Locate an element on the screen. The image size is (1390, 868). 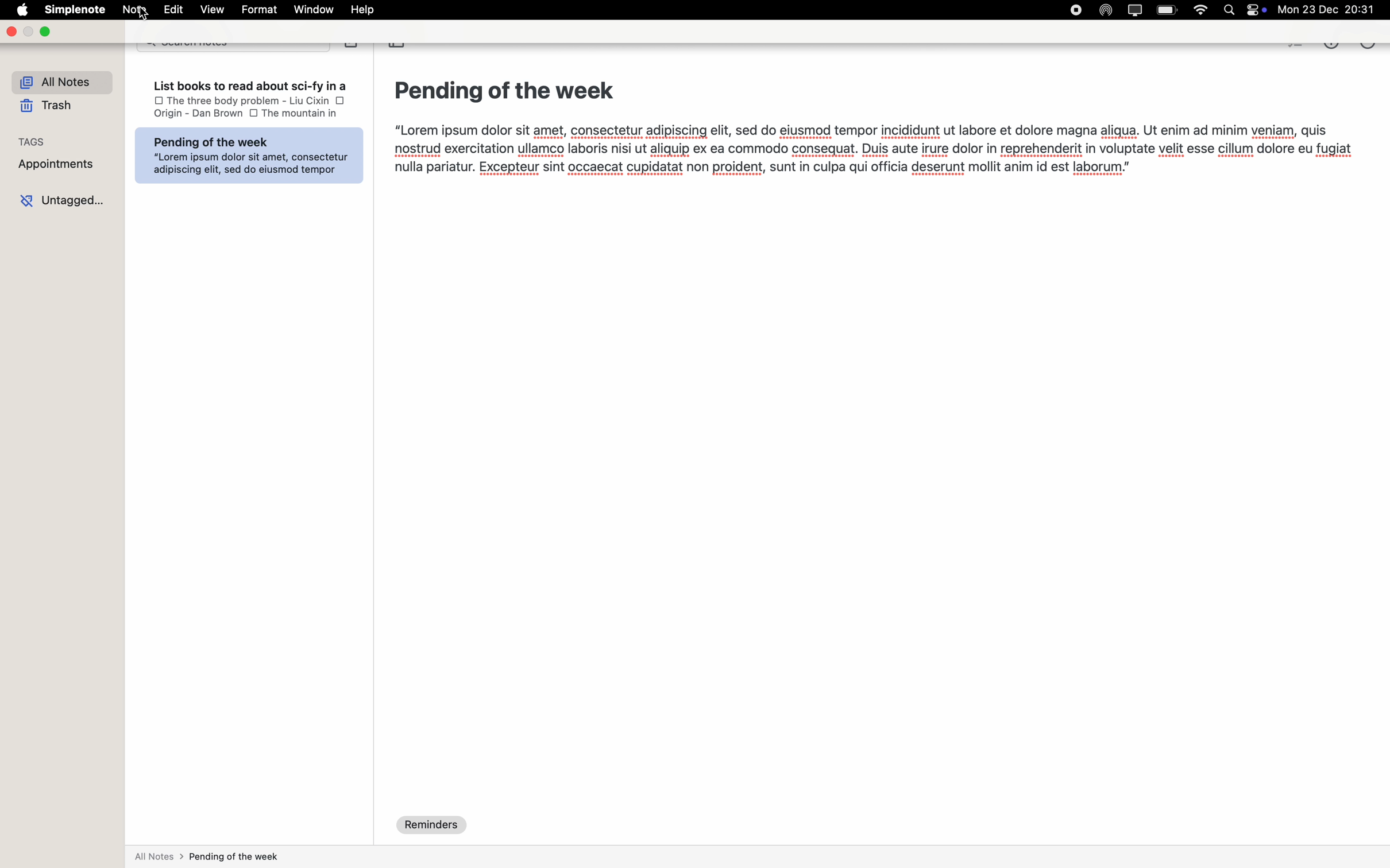
view is located at coordinates (213, 10).